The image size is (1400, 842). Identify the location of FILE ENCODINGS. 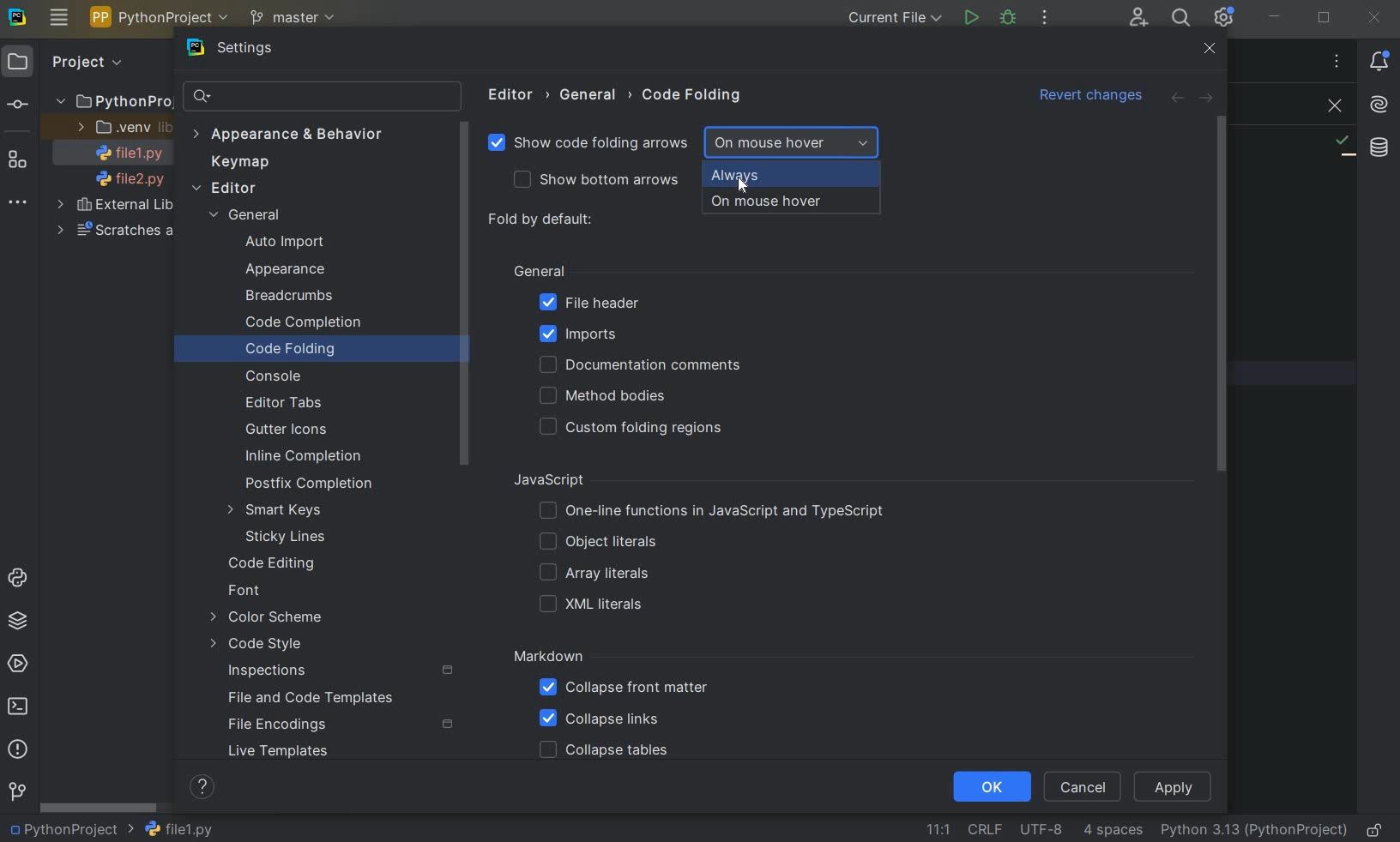
(340, 725).